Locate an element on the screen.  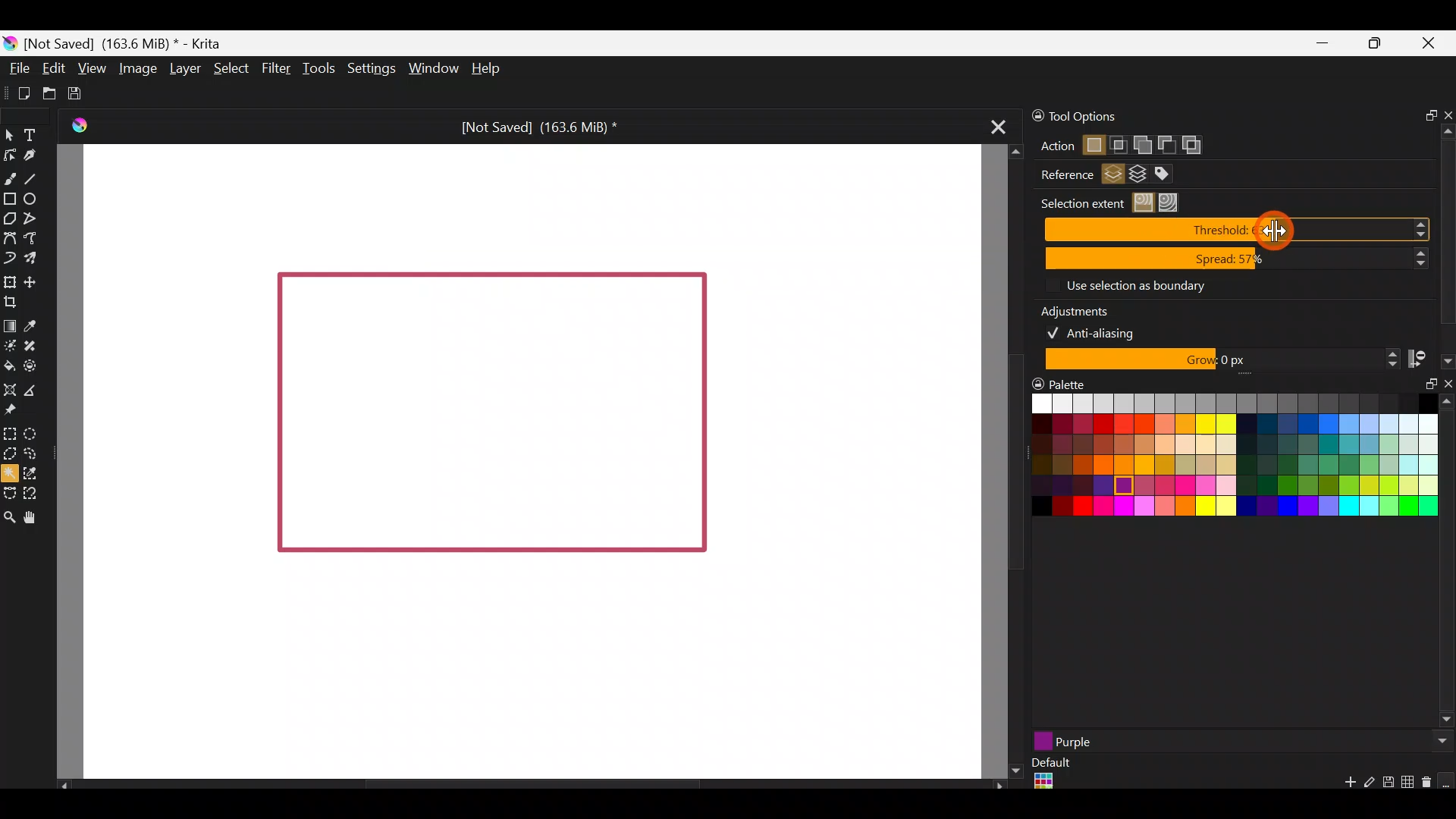
Bezier curve tool is located at coordinates (9, 236).